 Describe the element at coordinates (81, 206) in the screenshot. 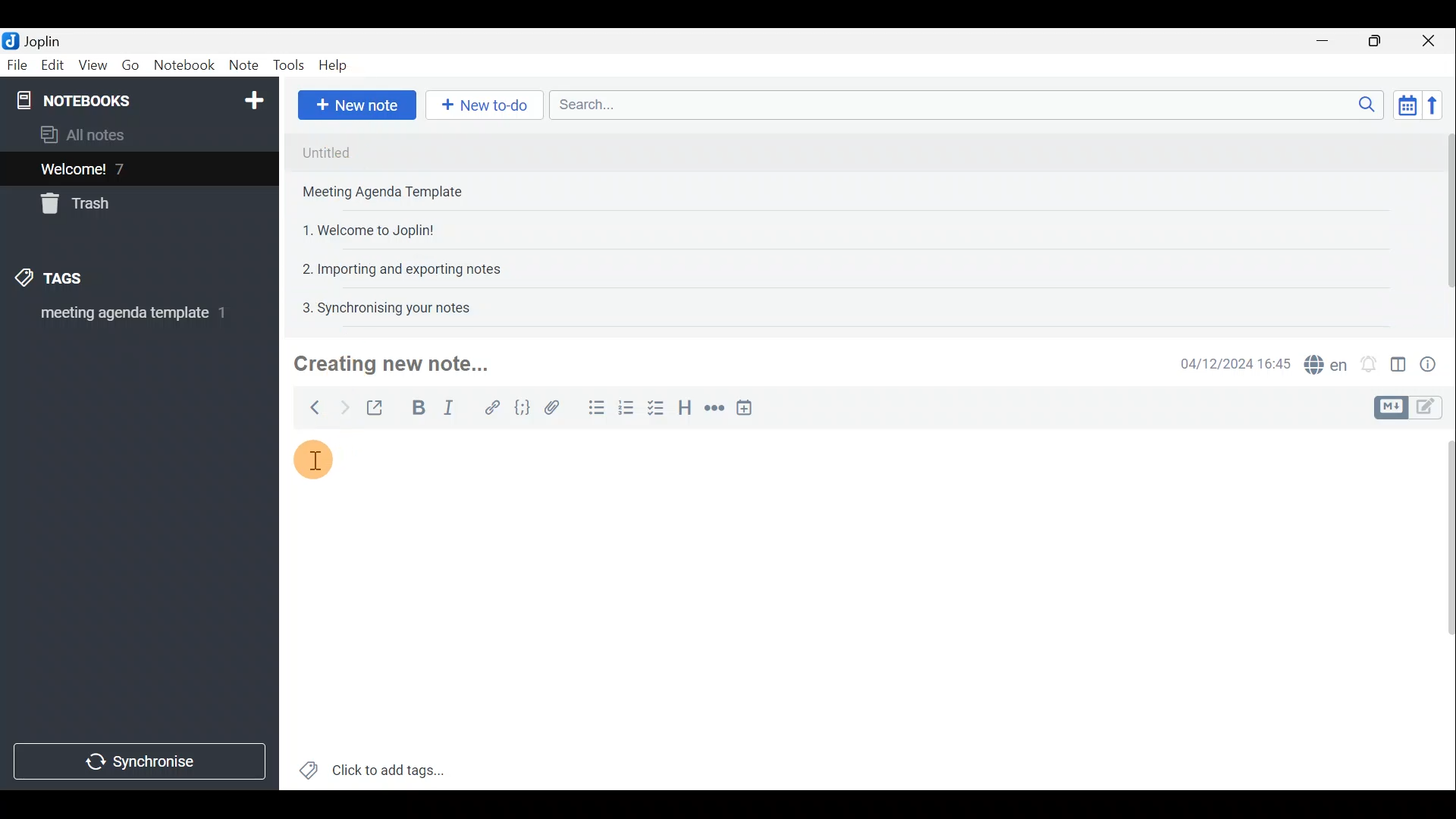

I see `Trash` at that location.